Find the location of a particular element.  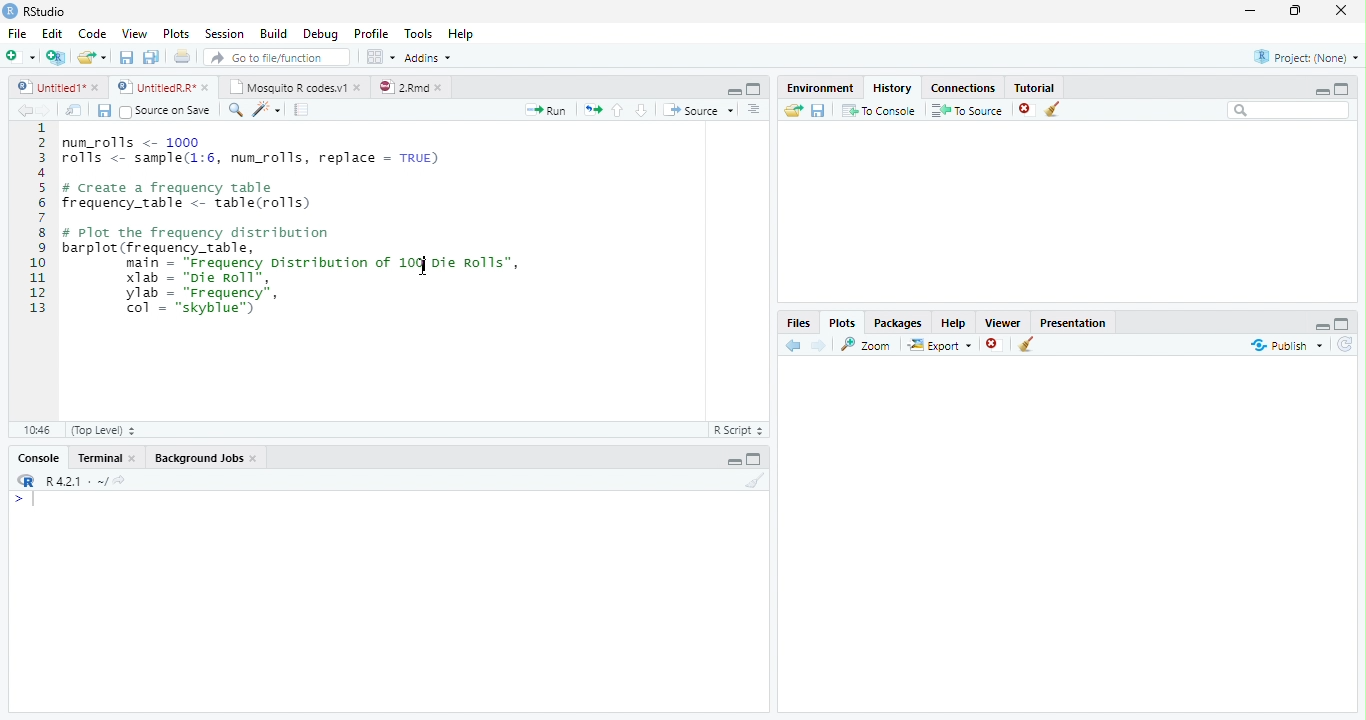

Workspace panes is located at coordinates (379, 57).